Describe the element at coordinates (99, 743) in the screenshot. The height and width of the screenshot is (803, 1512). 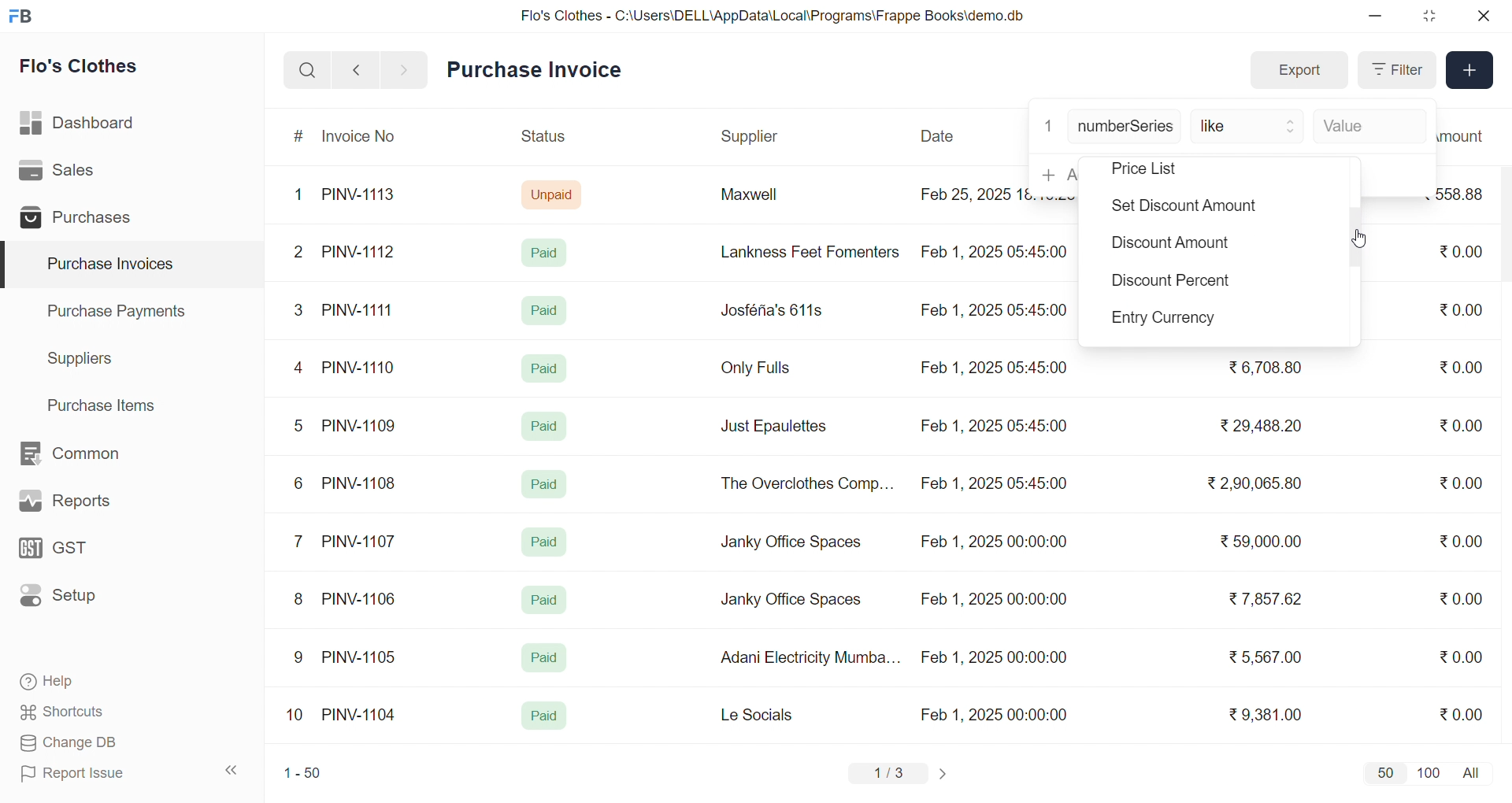
I see `Change DB` at that location.